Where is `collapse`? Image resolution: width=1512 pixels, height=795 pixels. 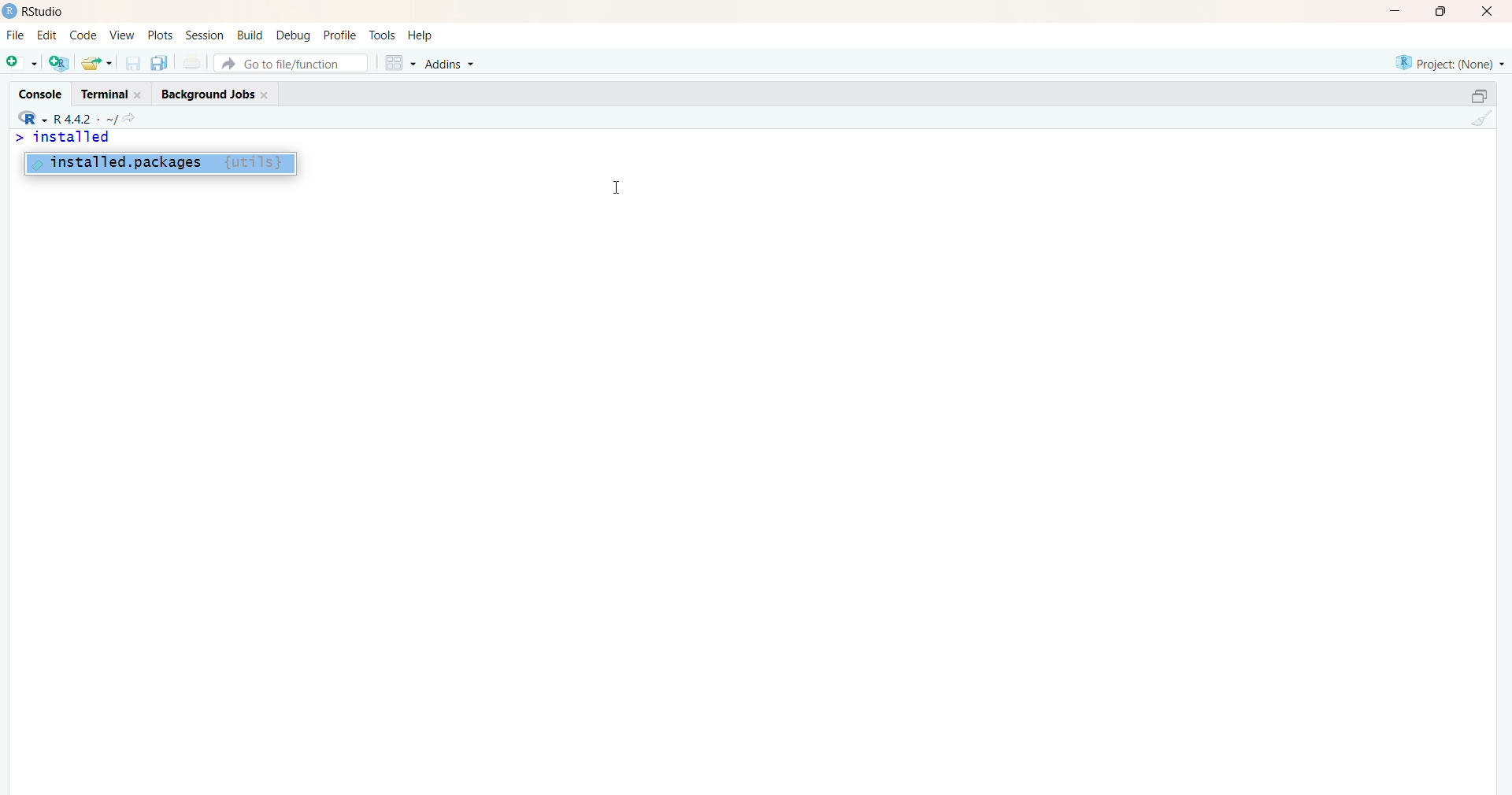 collapse is located at coordinates (1473, 98).